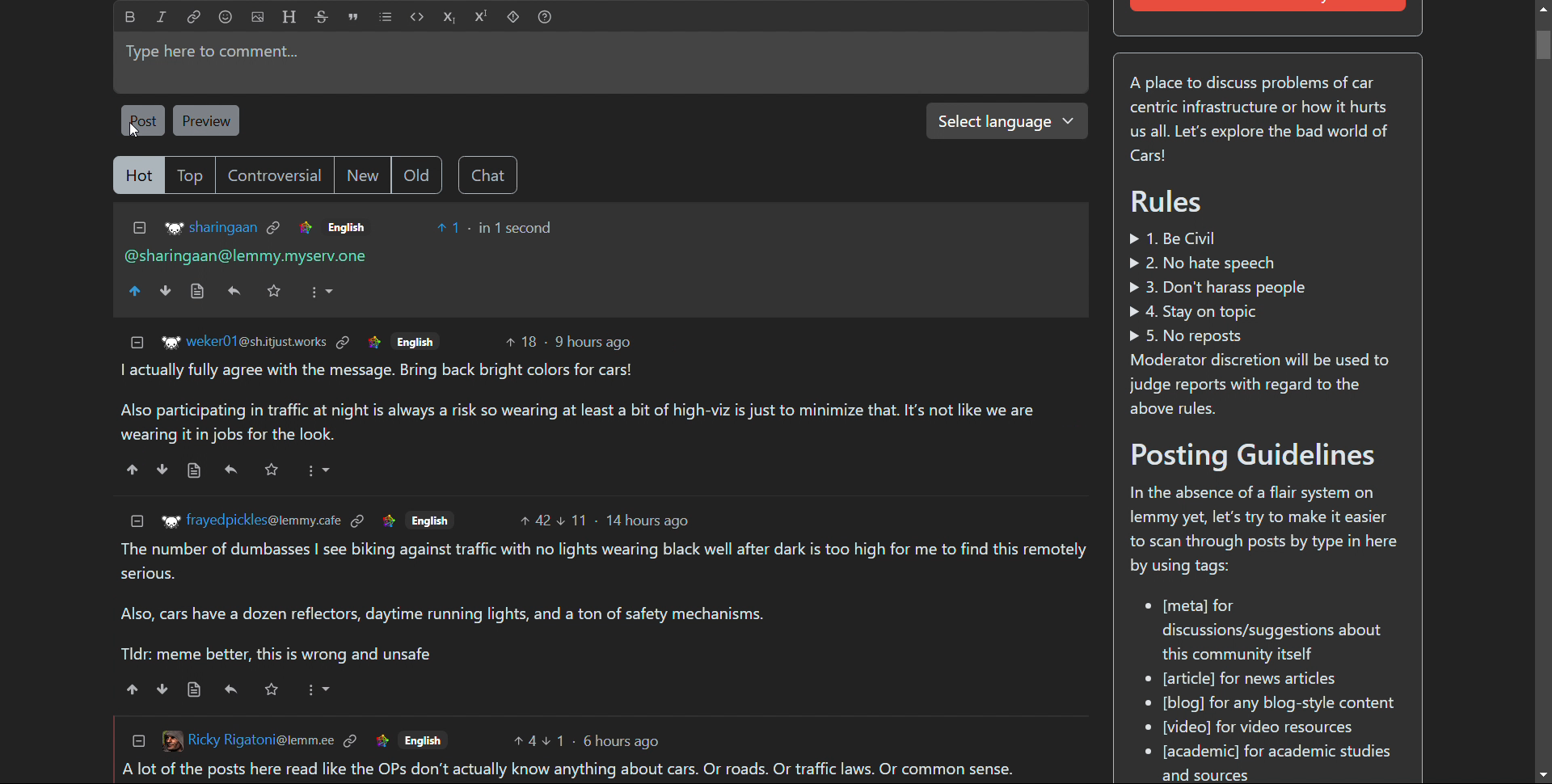  What do you see at coordinates (512, 17) in the screenshot?
I see `spoiler` at bounding box center [512, 17].